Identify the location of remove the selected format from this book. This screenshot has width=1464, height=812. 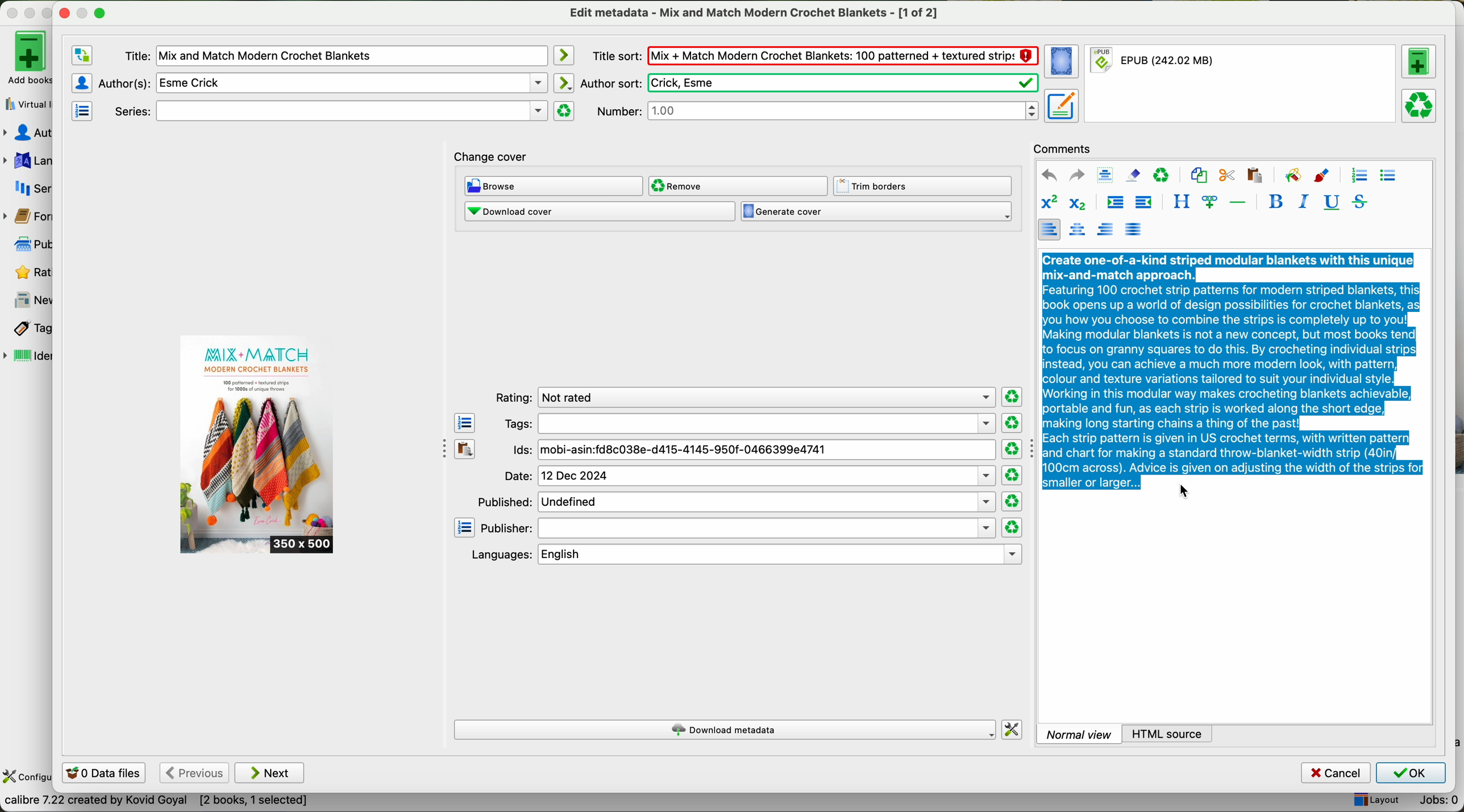
(1421, 105).